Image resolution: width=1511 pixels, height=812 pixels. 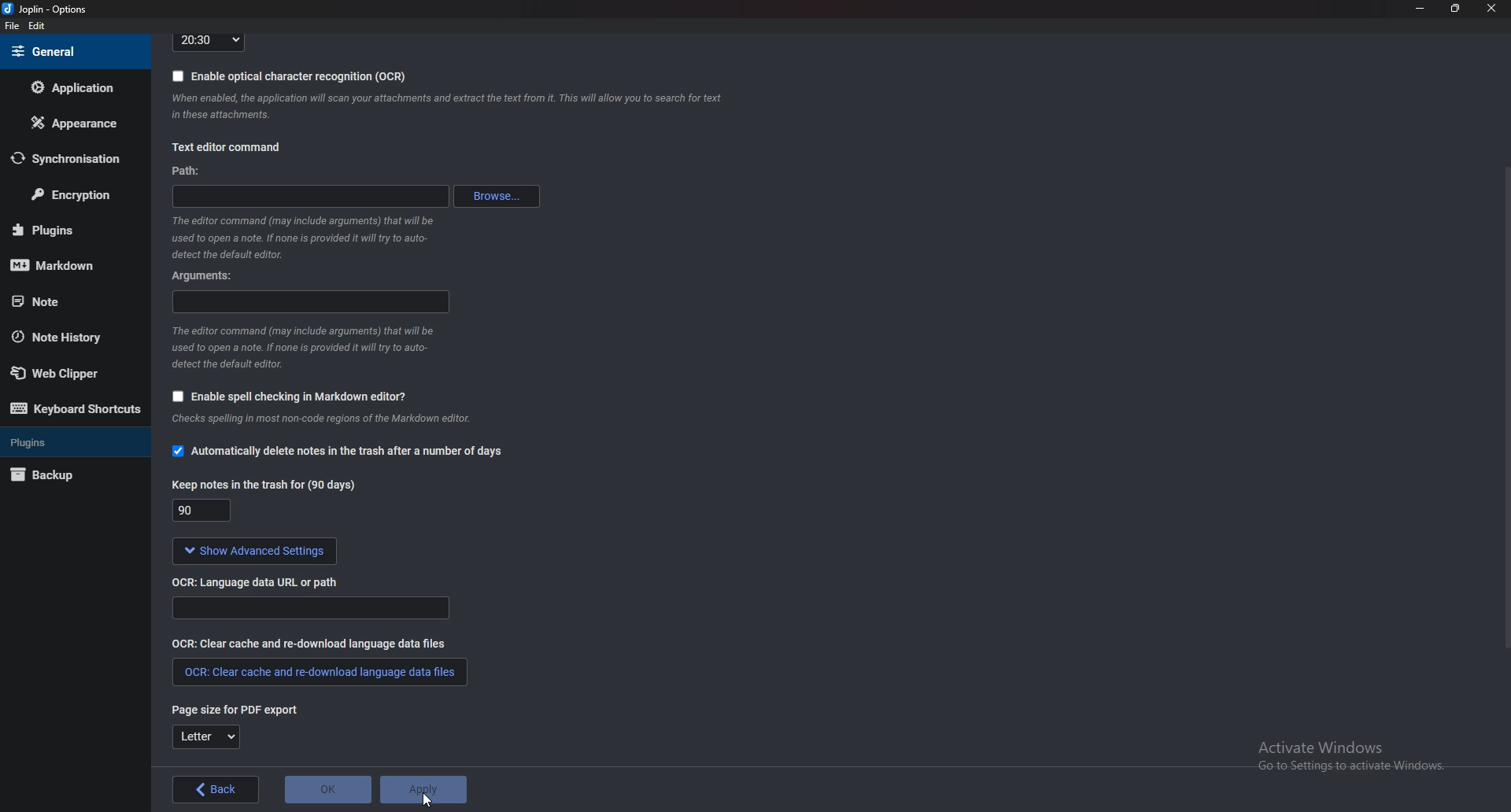 I want to click on Encryption, so click(x=72, y=196).